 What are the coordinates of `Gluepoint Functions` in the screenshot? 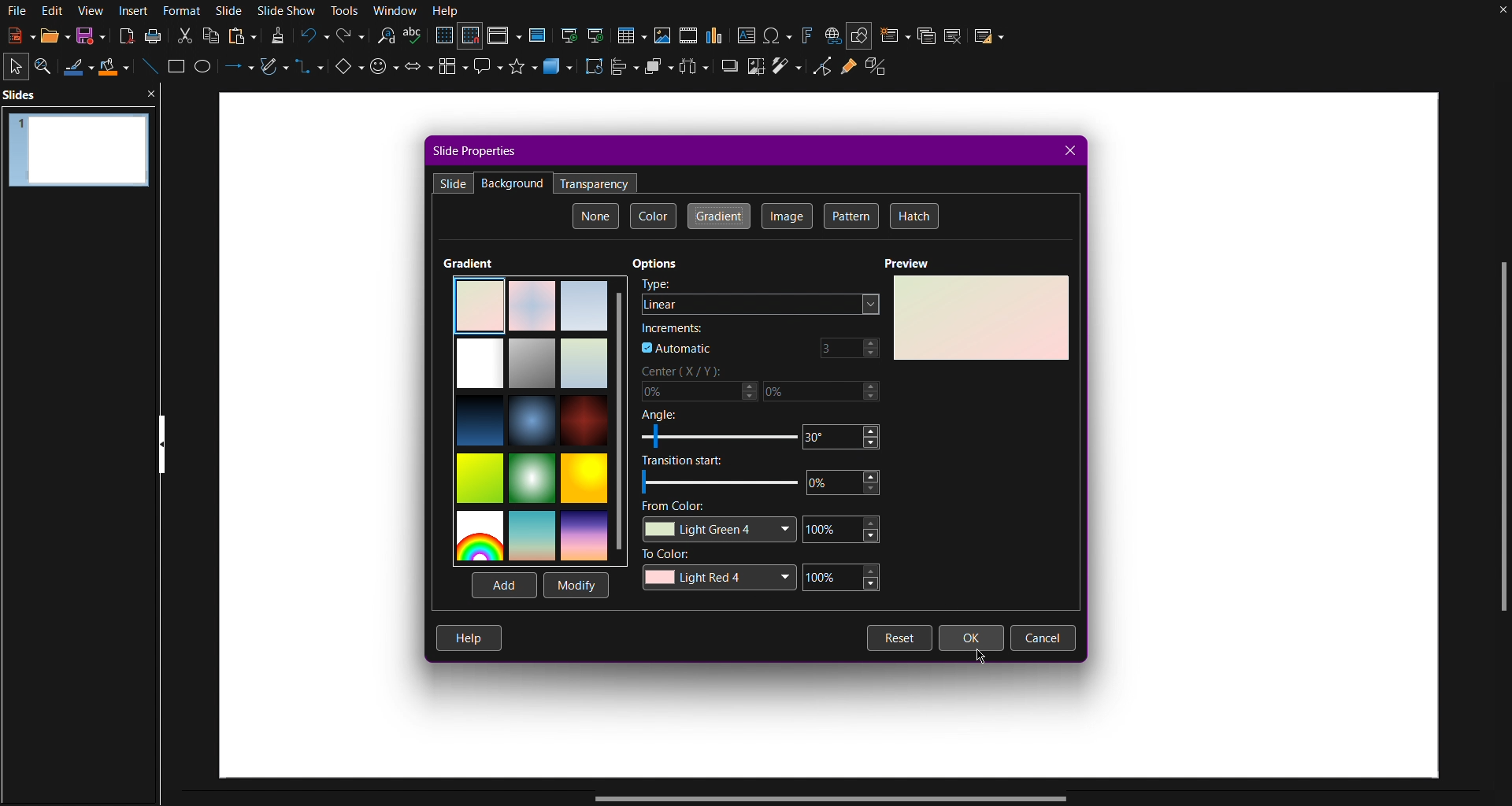 It's located at (848, 72).